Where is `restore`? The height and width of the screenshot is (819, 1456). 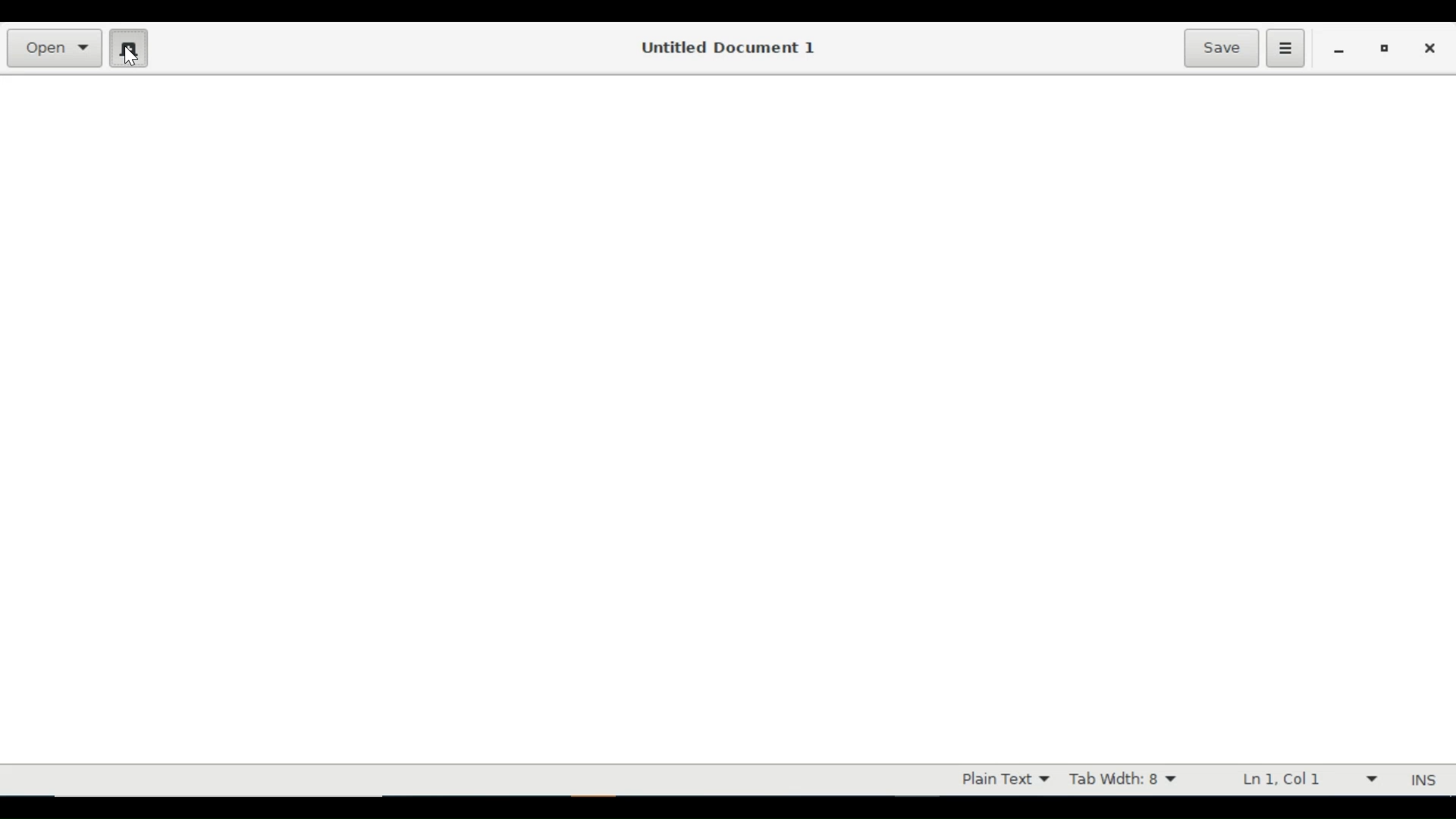 restore is located at coordinates (1386, 49).